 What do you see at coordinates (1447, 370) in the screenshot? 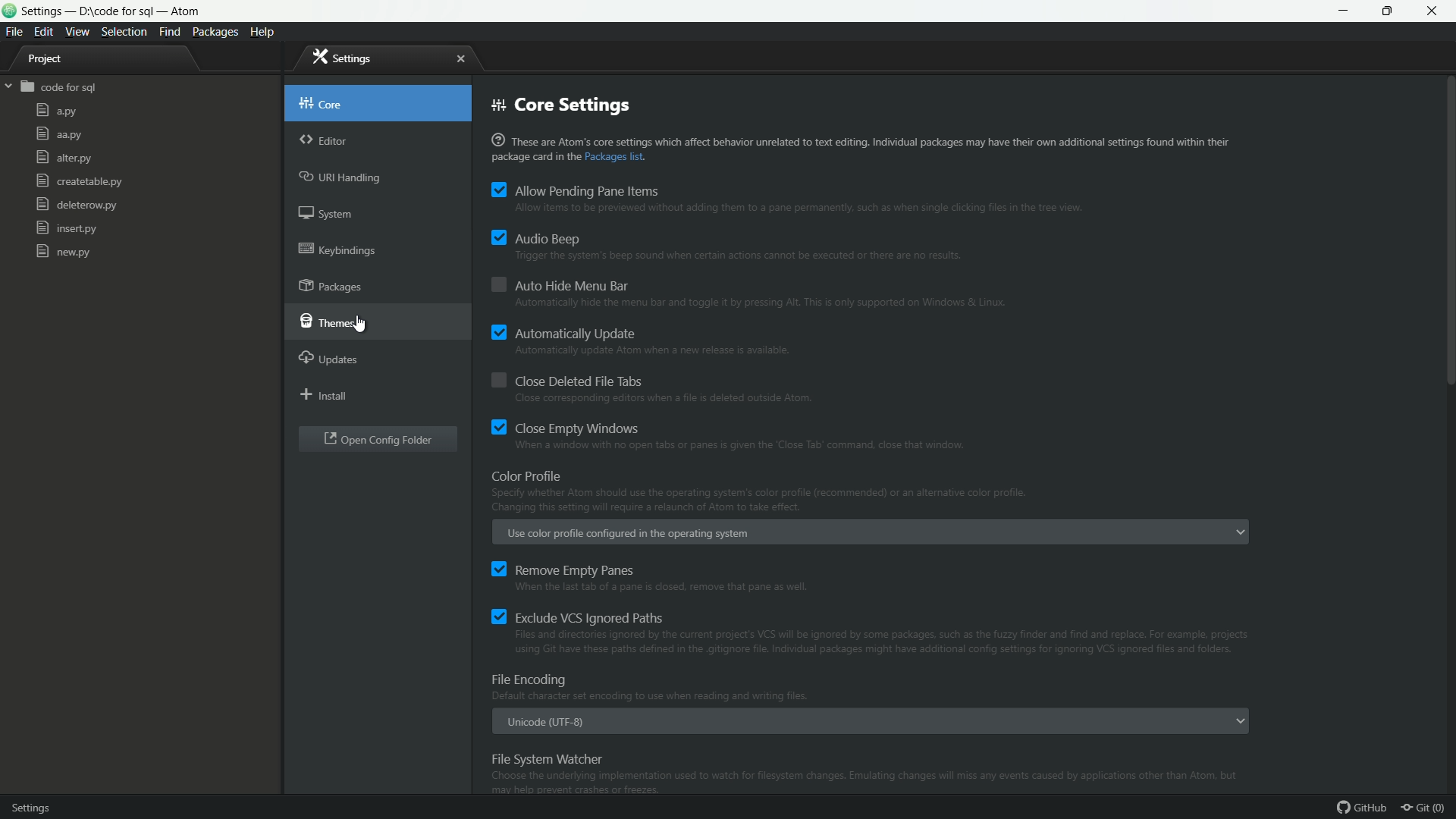
I see `scroll bar` at bounding box center [1447, 370].